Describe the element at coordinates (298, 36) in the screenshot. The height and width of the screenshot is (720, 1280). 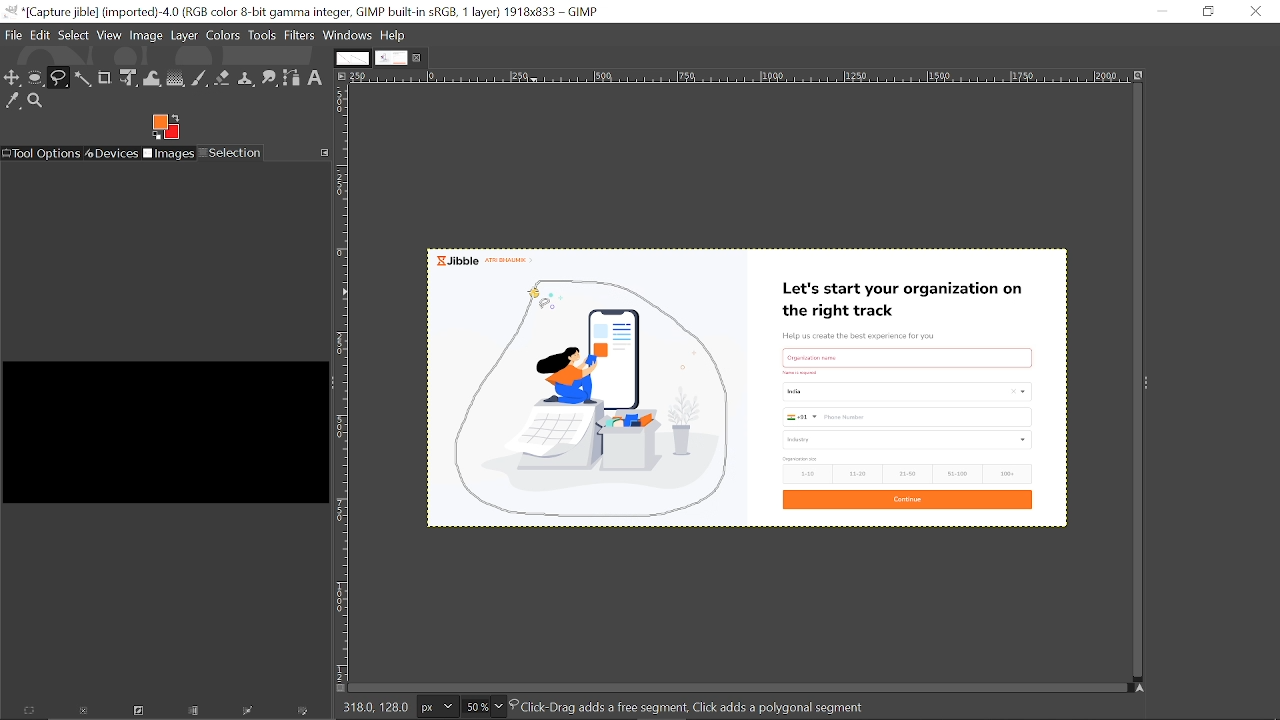
I see `Filters` at that location.